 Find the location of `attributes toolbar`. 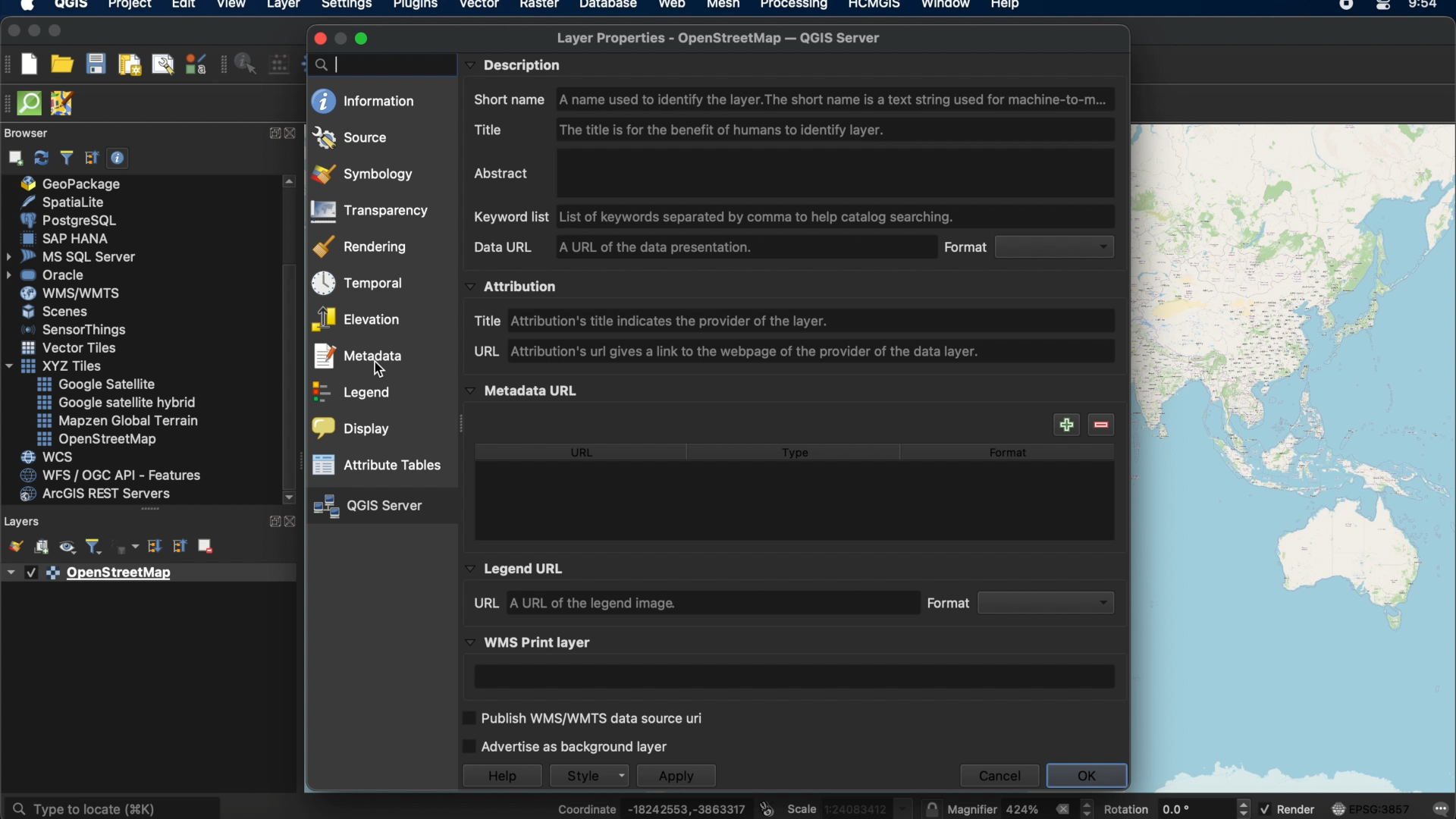

attributes toolbar is located at coordinates (224, 66).